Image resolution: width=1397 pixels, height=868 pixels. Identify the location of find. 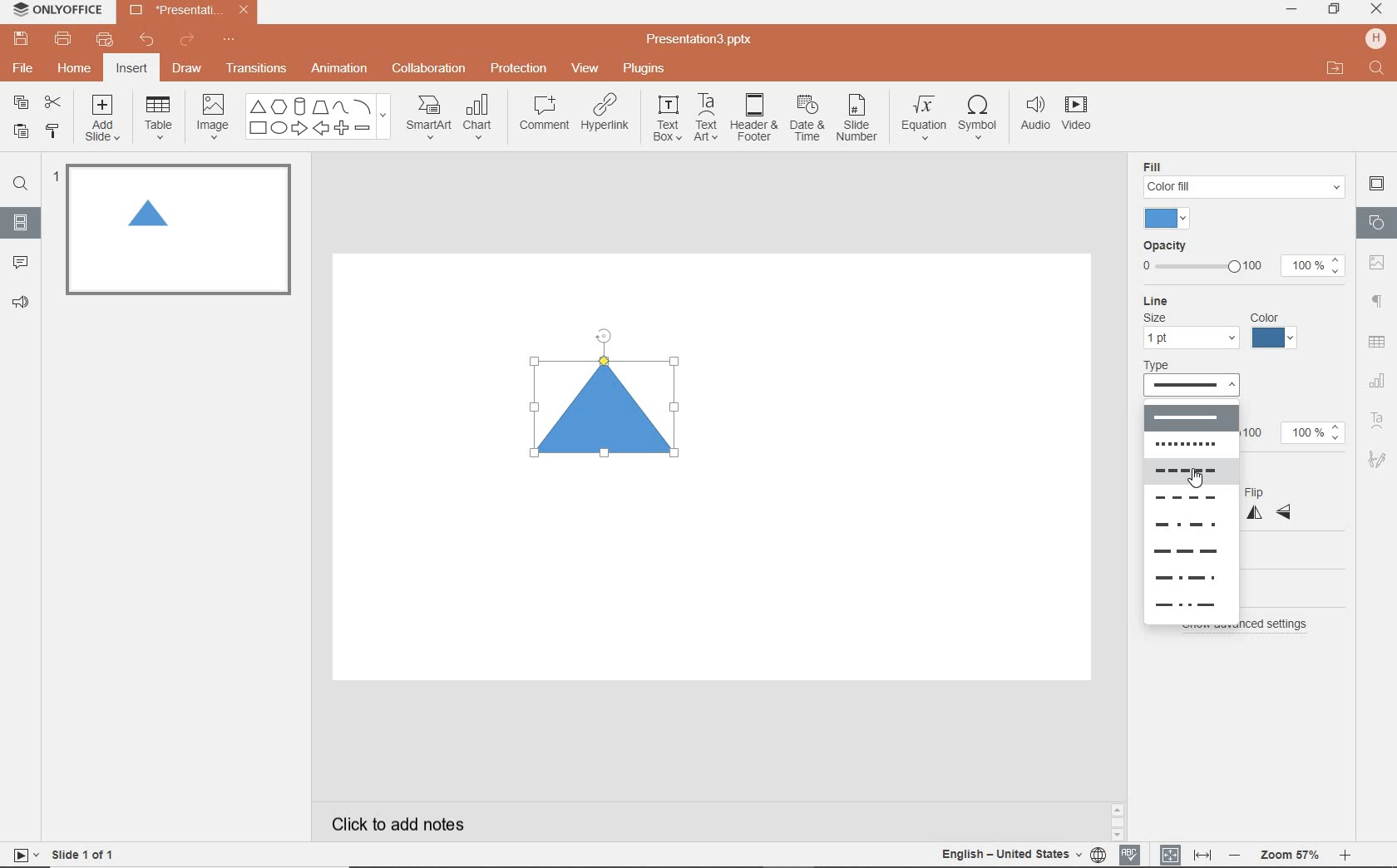
(1378, 70).